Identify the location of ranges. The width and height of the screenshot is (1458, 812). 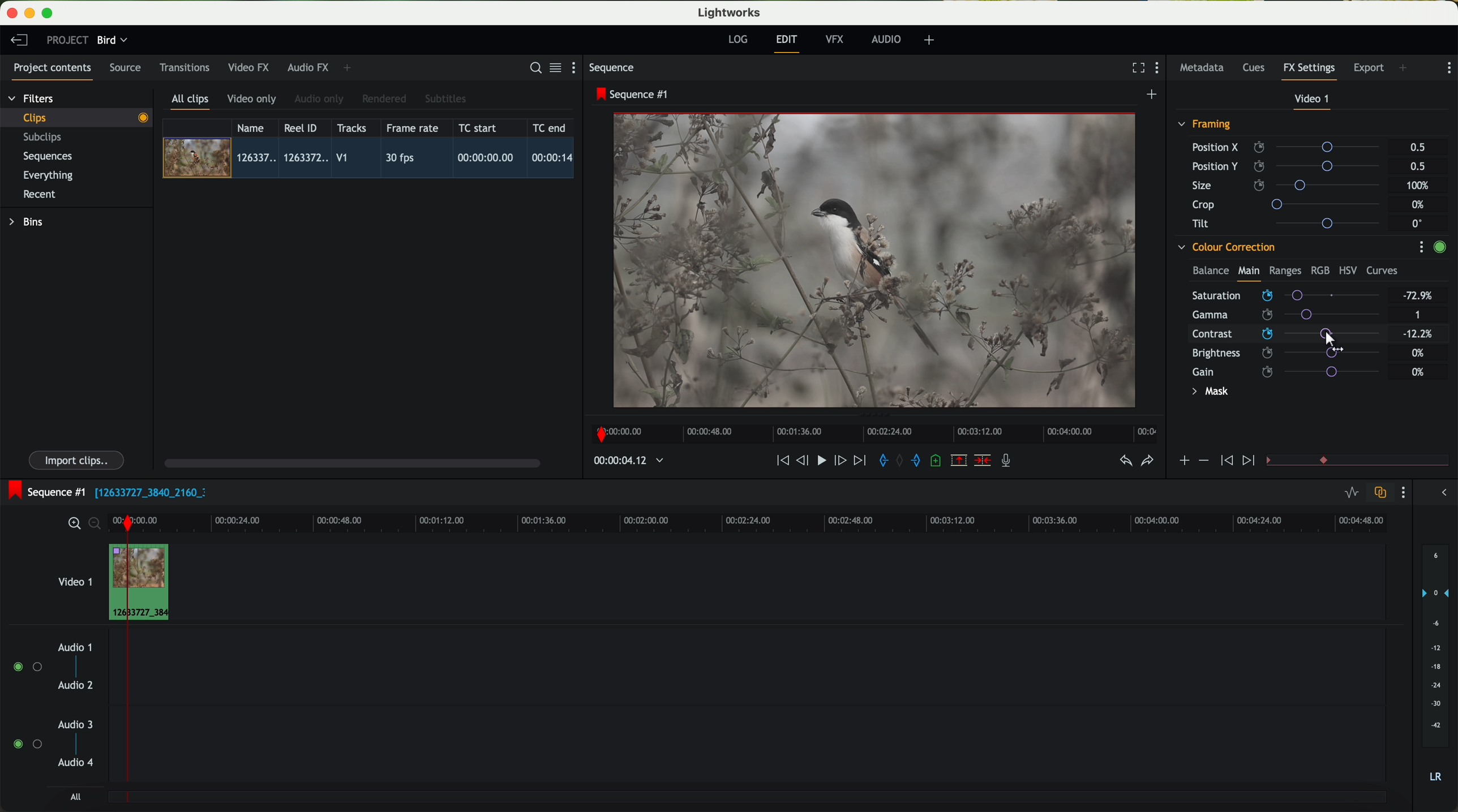
(1285, 270).